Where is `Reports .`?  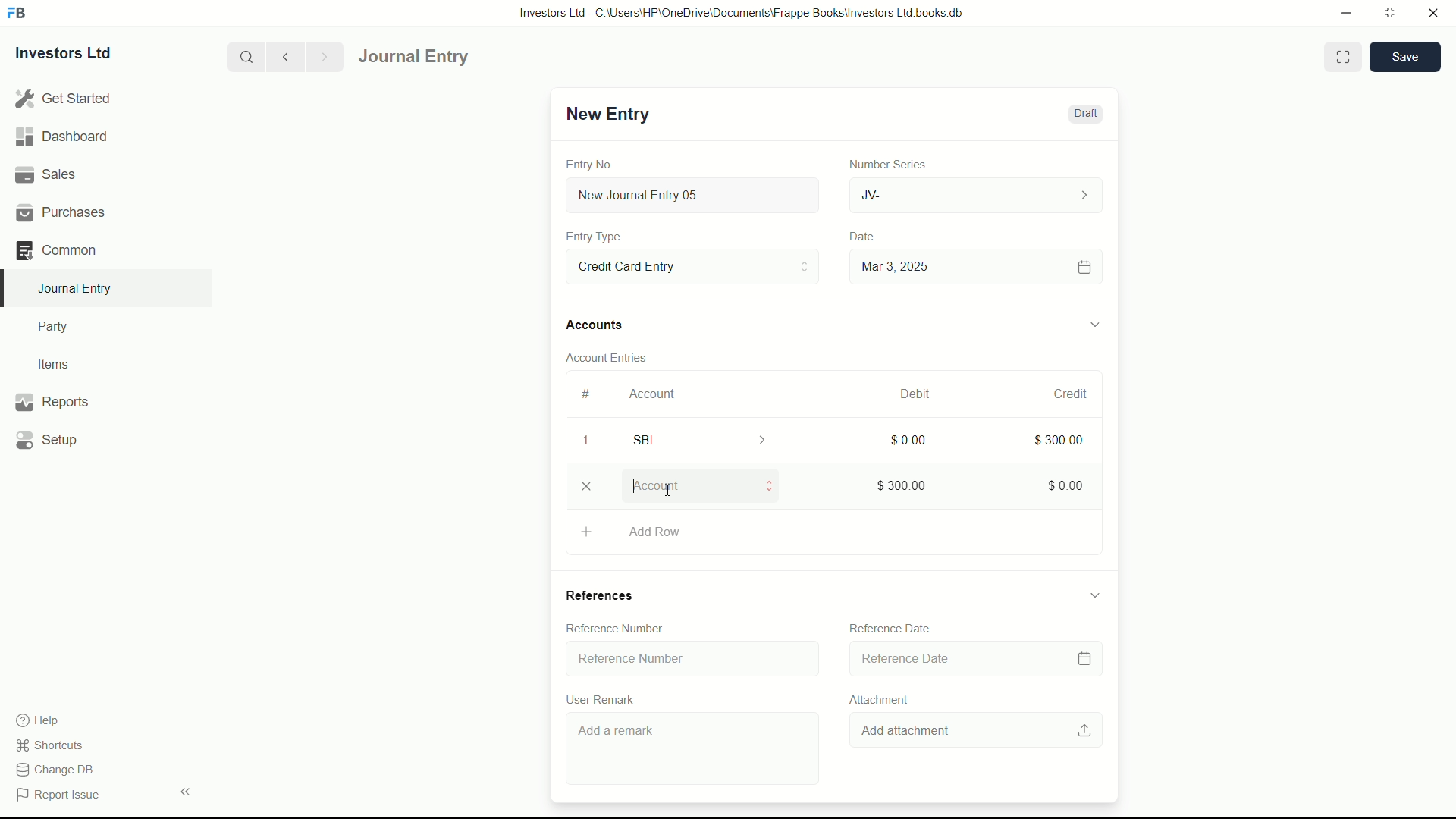 Reports . is located at coordinates (52, 400).